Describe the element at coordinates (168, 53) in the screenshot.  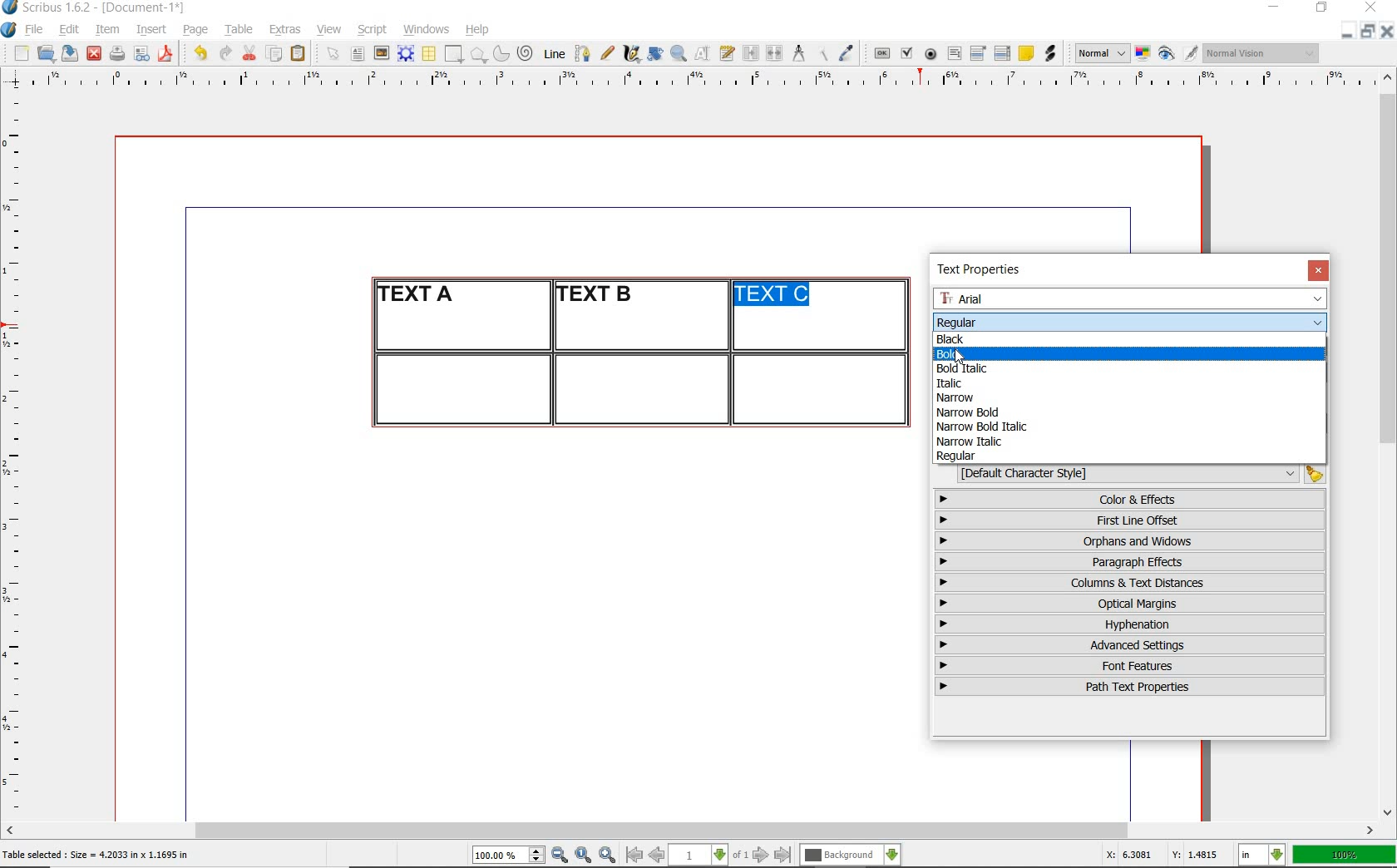
I see `save as pdf` at that location.